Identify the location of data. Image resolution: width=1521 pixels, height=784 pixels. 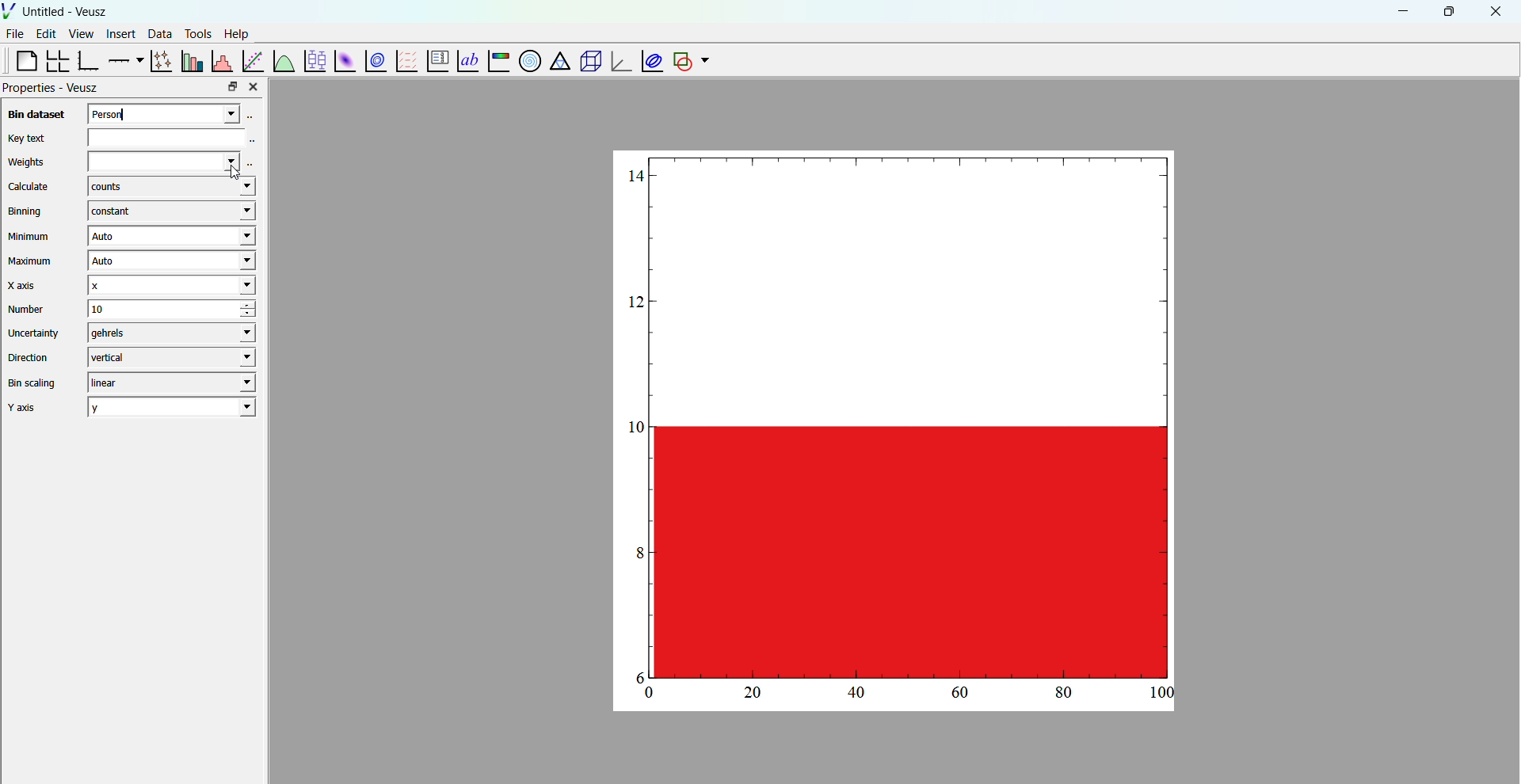
(158, 33).